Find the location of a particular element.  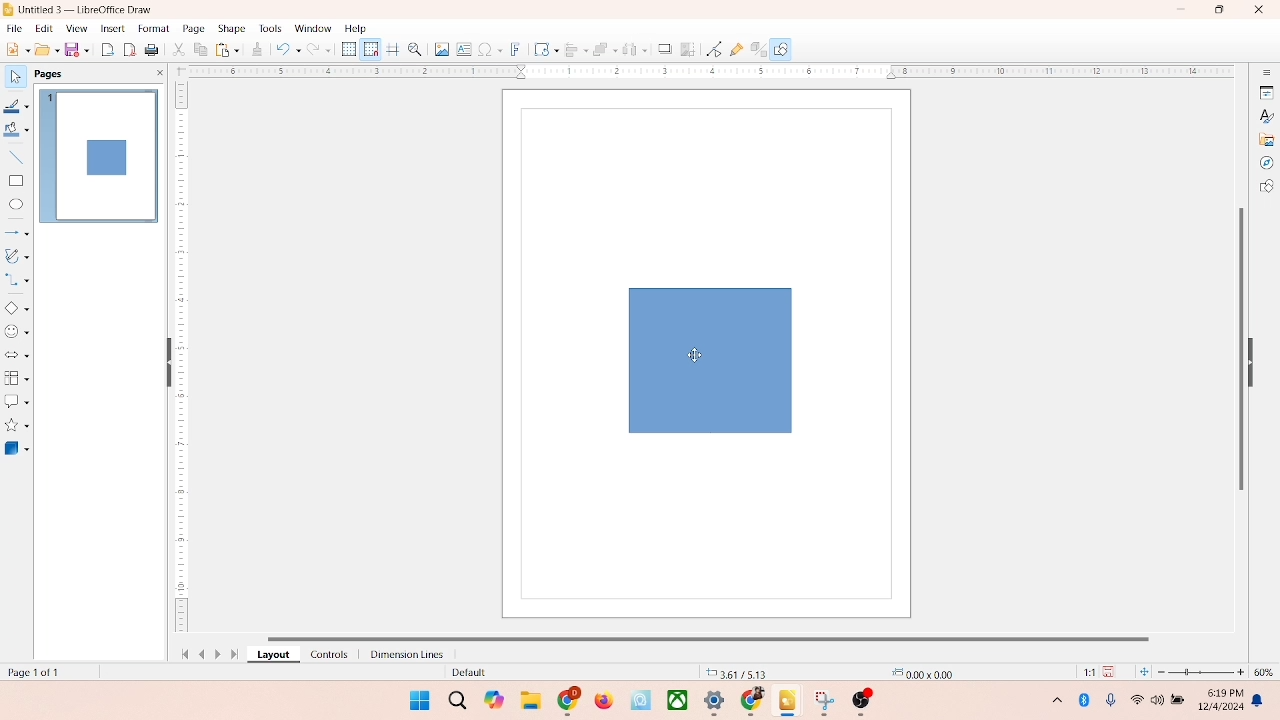

copy is located at coordinates (200, 51).